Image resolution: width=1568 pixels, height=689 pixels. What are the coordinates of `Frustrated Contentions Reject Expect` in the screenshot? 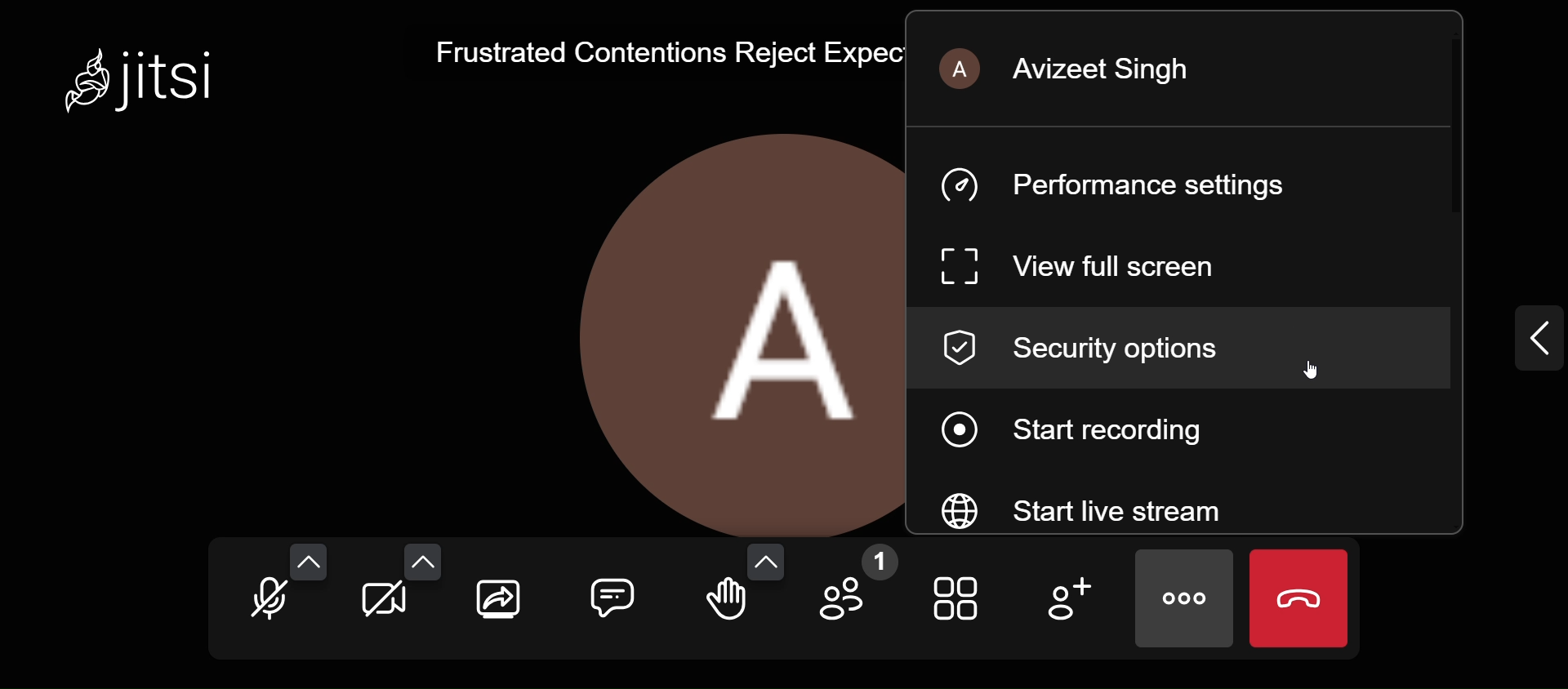 It's located at (644, 59).